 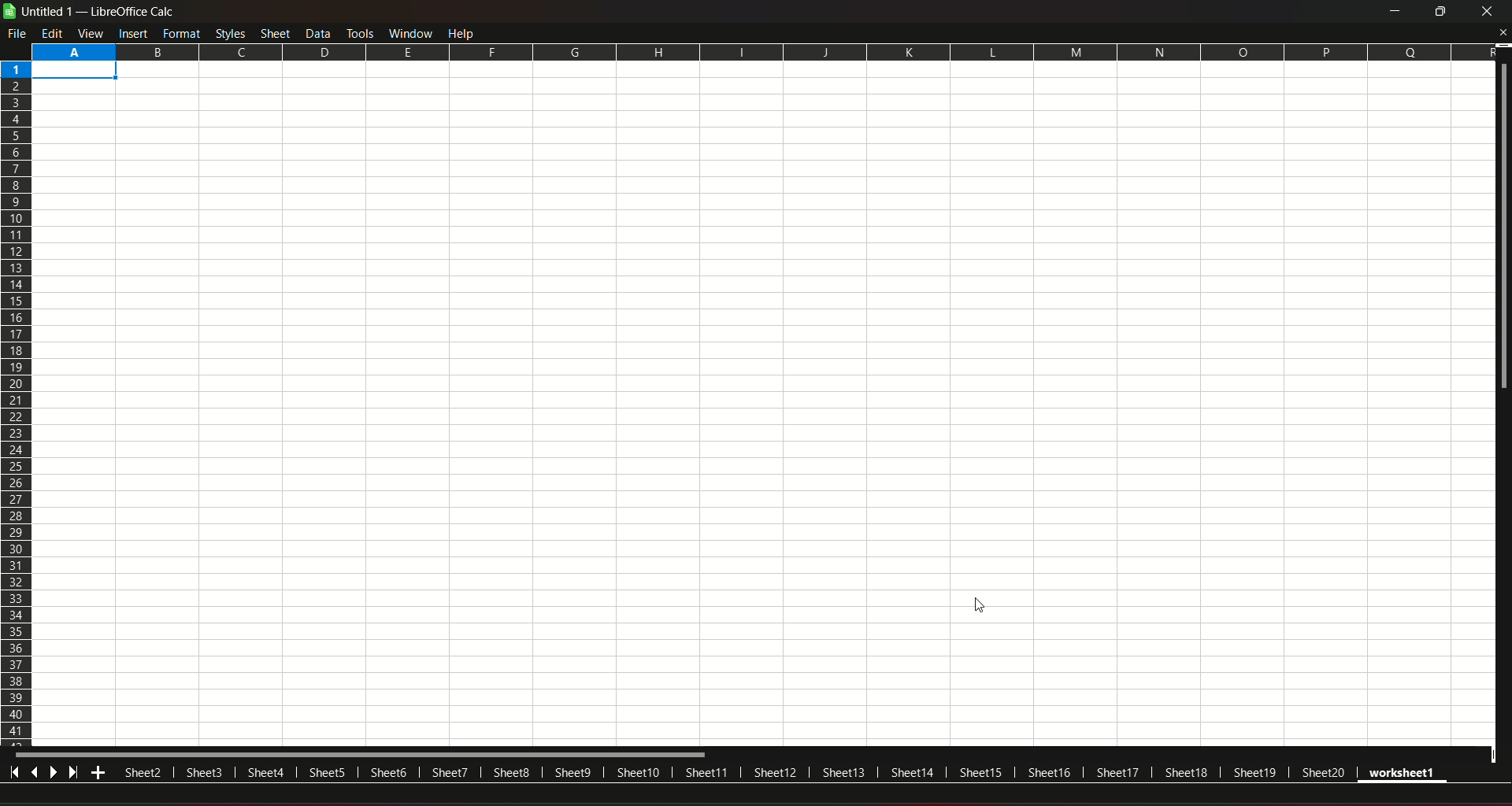 What do you see at coordinates (74, 774) in the screenshot?
I see `Last sheet` at bounding box center [74, 774].